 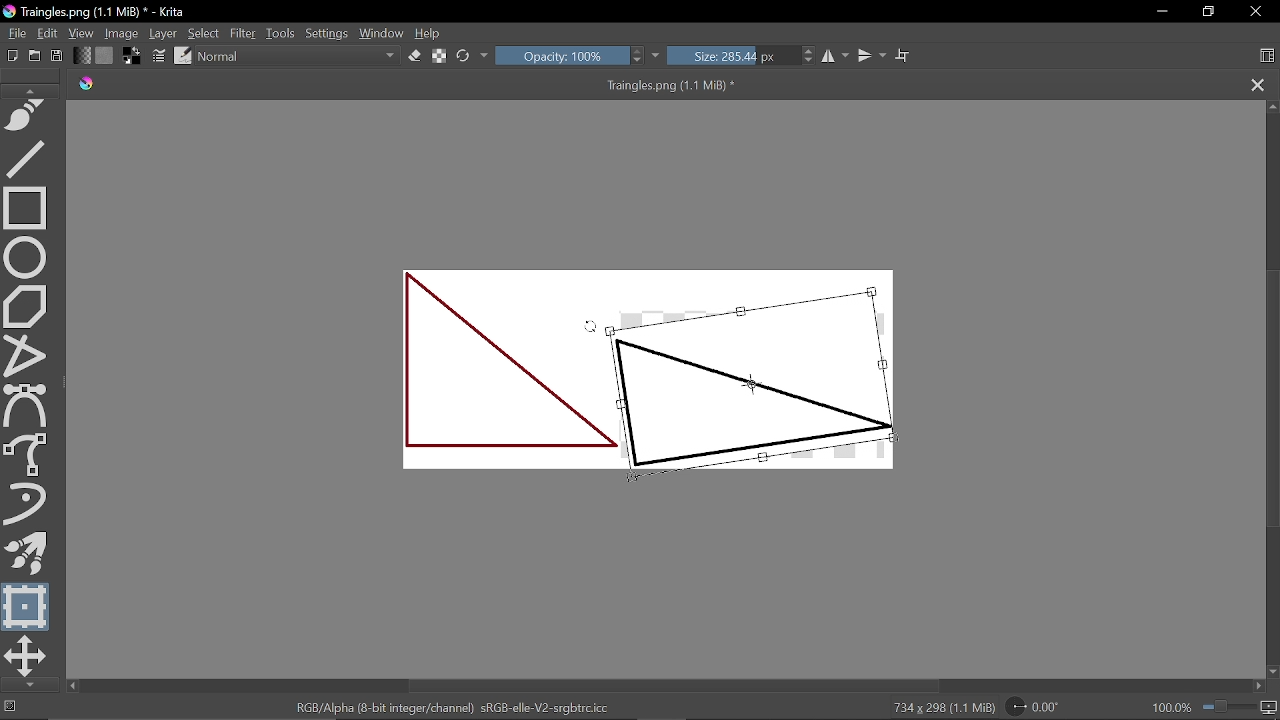 I want to click on Edit, so click(x=48, y=34).